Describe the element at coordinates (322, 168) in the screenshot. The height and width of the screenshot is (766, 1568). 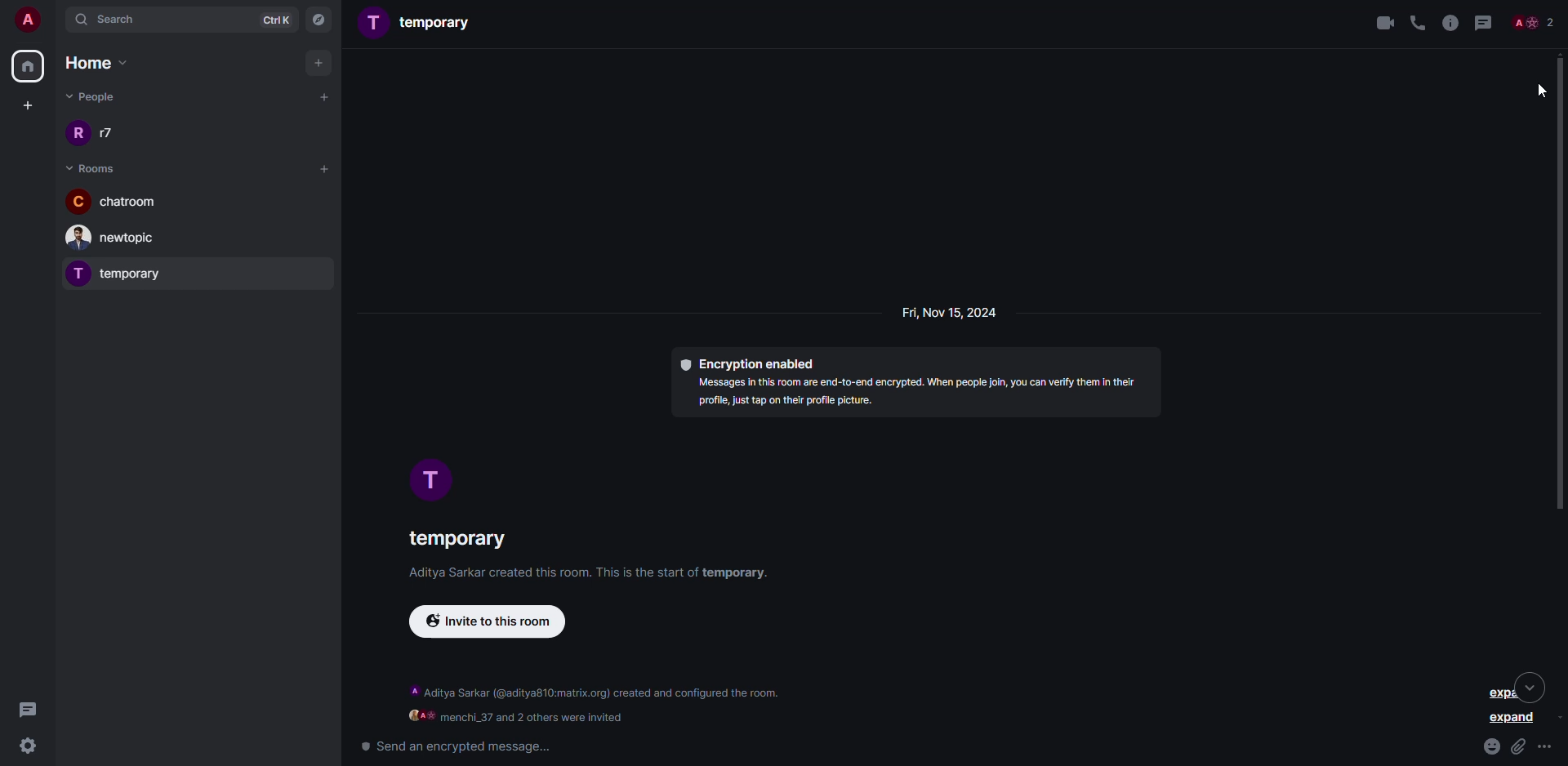
I see `add` at that location.